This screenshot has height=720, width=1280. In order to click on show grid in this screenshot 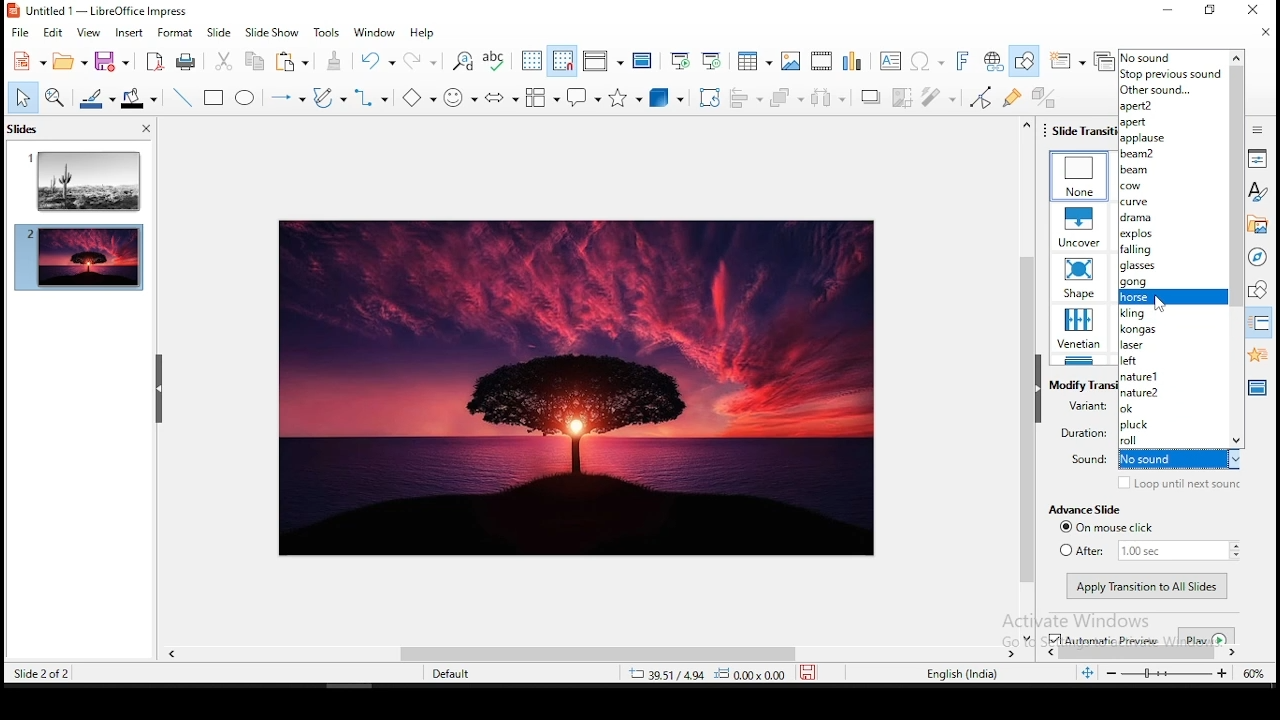, I will do `click(533, 61)`.